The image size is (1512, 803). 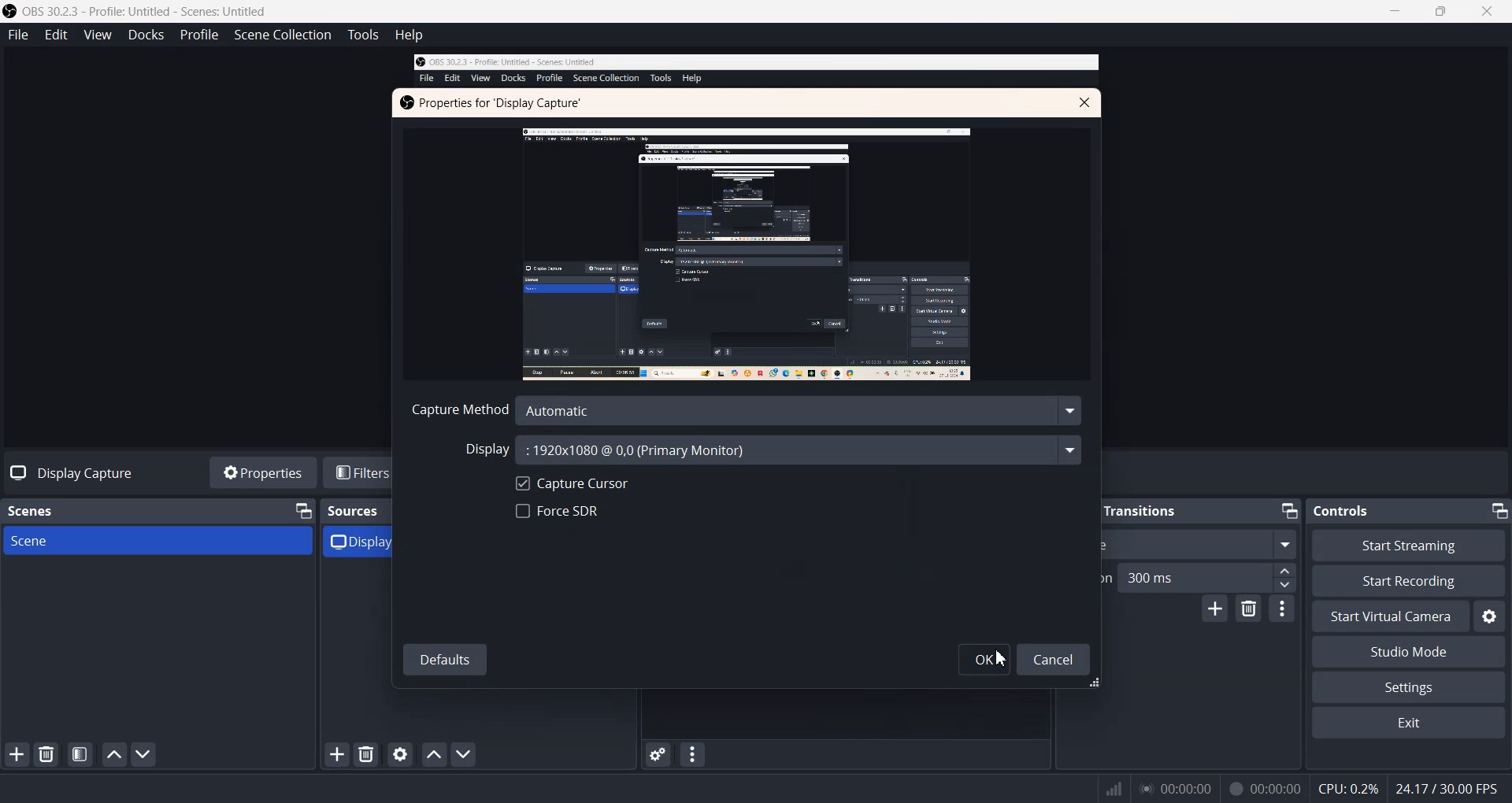 What do you see at coordinates (1249, 609) in the screenshot?
I see `Remove configurable Transition` at bounding box center [1249, 609].